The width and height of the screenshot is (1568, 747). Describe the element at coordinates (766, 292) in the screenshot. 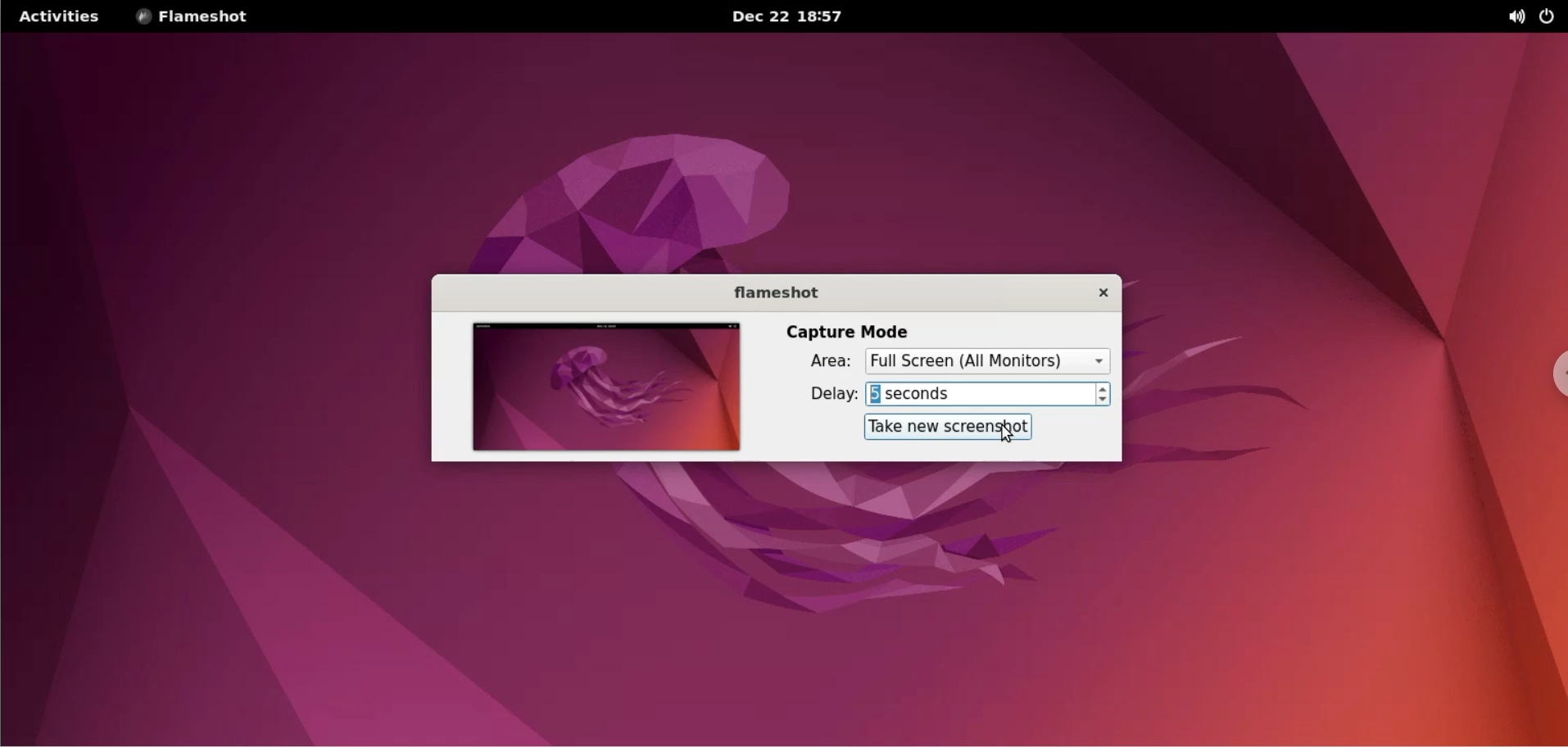

I see `flameshot ` at that location.